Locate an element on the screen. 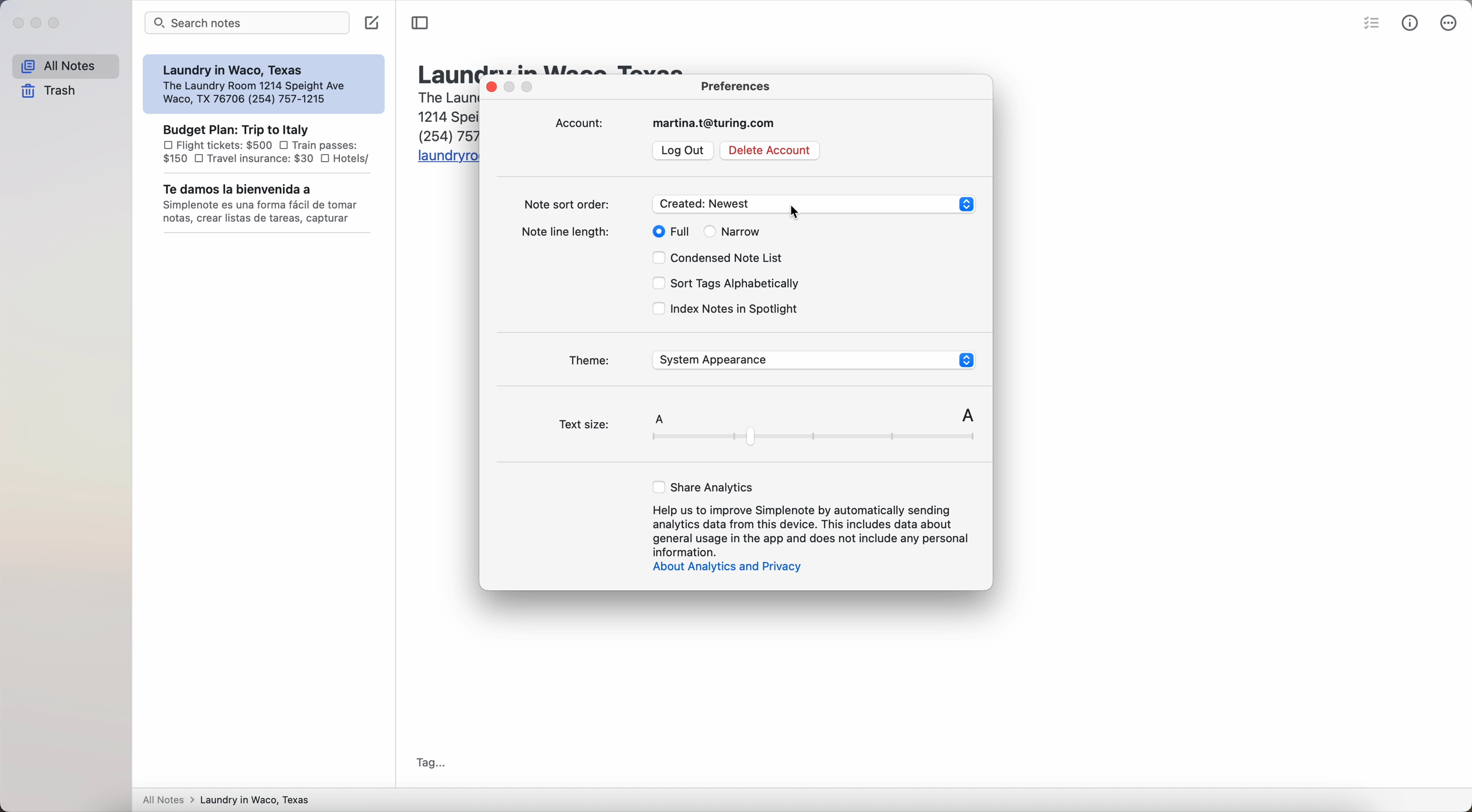 The image size is (1472, 812). about analytics and privacy is located at coordinates (733, 568).